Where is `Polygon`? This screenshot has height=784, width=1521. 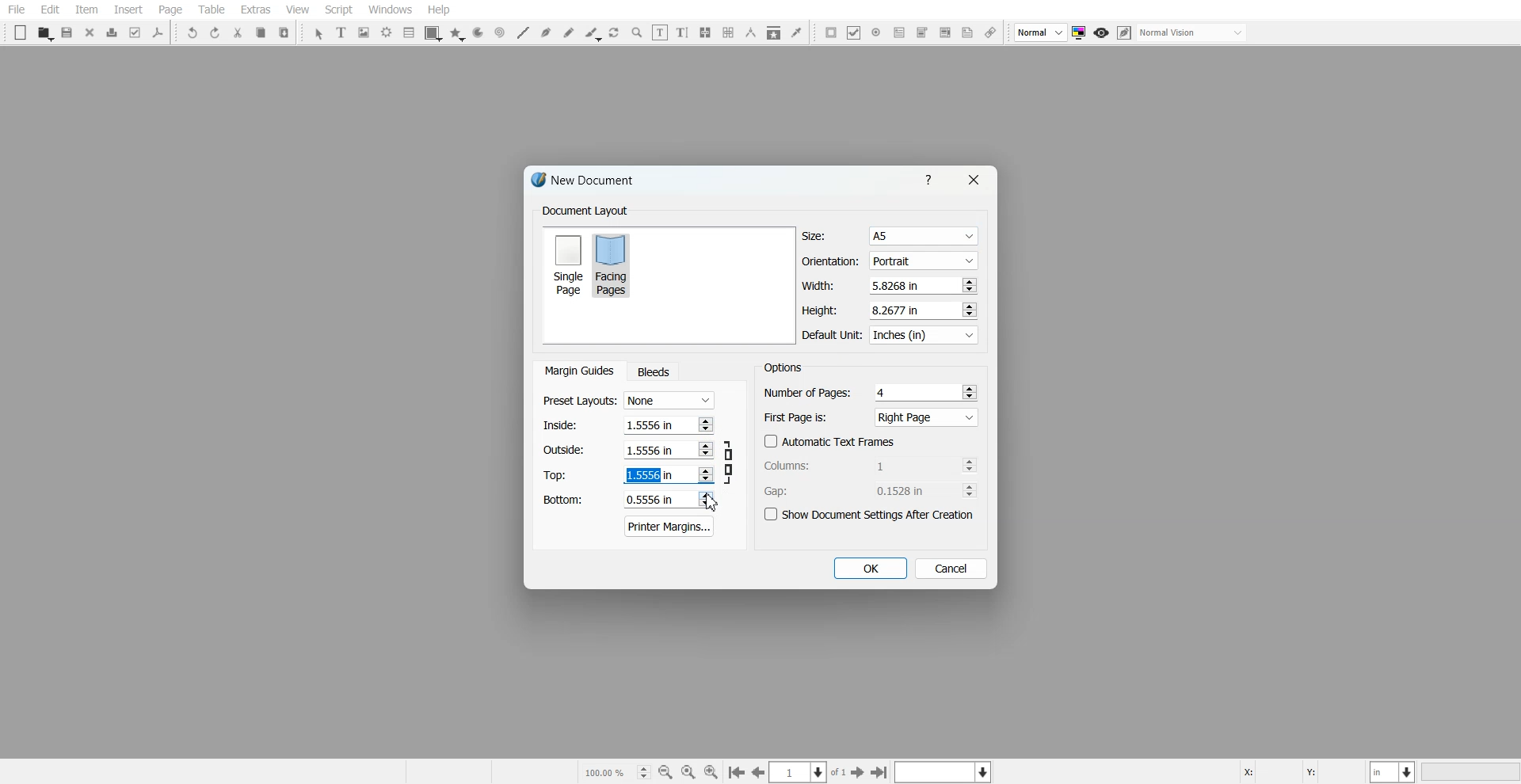
Polygon is located at coordinates (457, 34).